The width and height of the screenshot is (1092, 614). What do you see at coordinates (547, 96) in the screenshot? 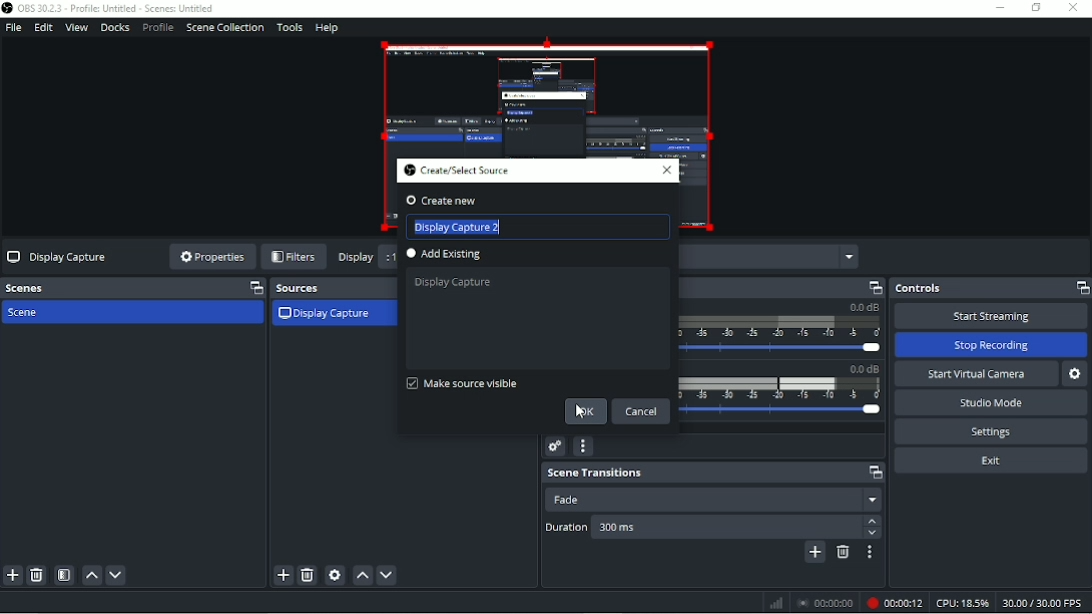
I see `Video Preview` at bounding box center [547, 96].